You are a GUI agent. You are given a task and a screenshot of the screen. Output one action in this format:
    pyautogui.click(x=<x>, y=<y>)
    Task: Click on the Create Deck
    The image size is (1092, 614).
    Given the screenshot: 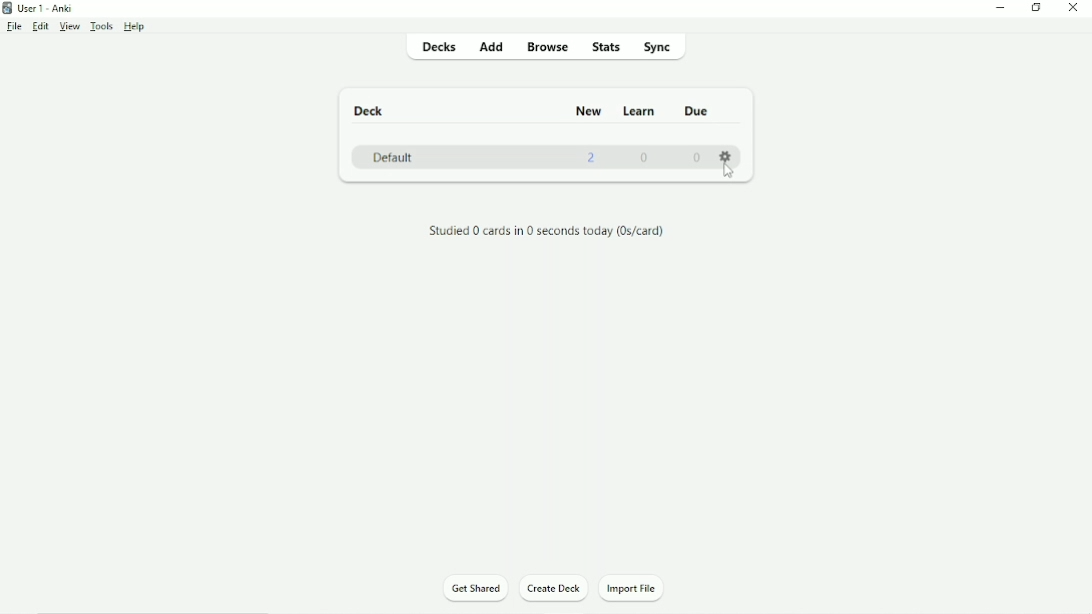 What is the action you would take?
    pyautogui.click(x=553, y=587)
    